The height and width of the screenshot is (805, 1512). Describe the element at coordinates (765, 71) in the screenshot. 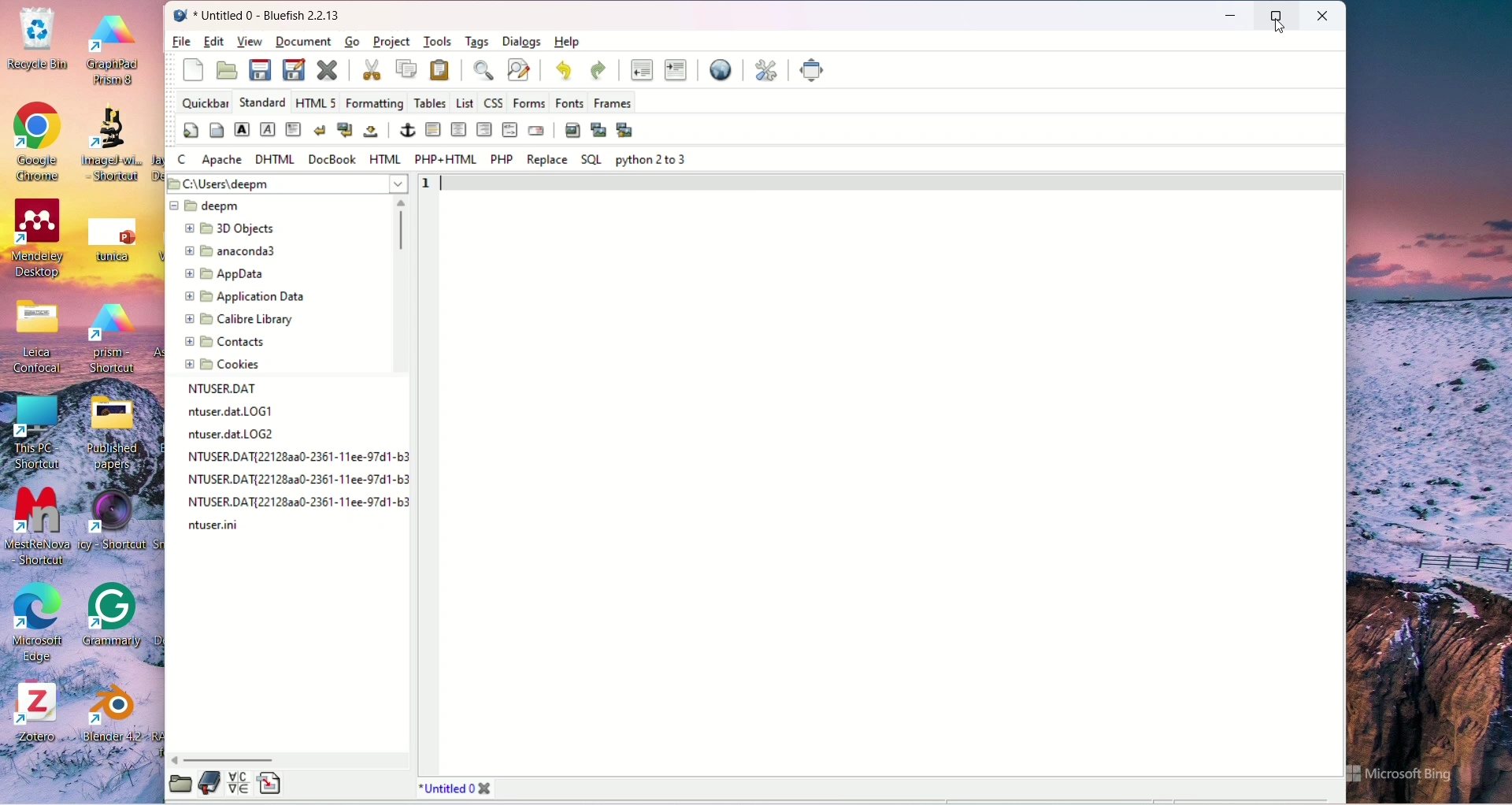

I see `edit preferences` at that location.